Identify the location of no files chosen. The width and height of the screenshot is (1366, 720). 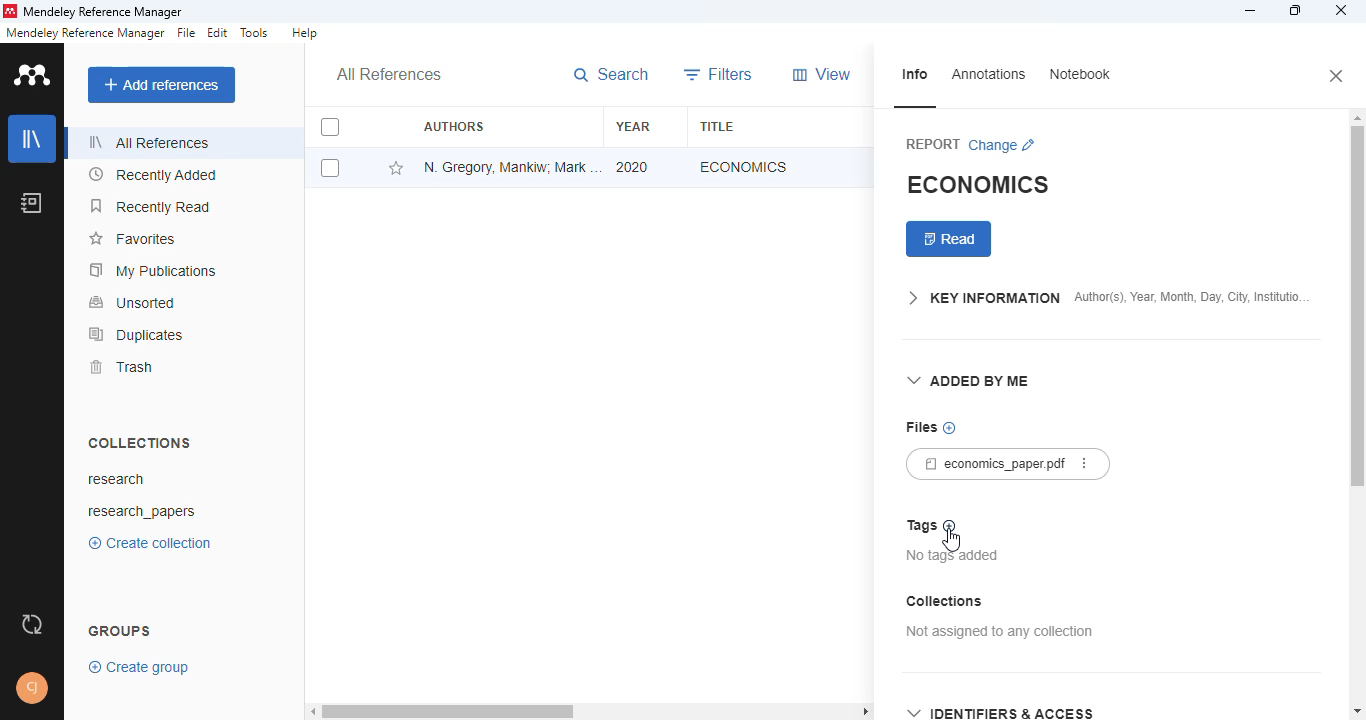
(949, 428).